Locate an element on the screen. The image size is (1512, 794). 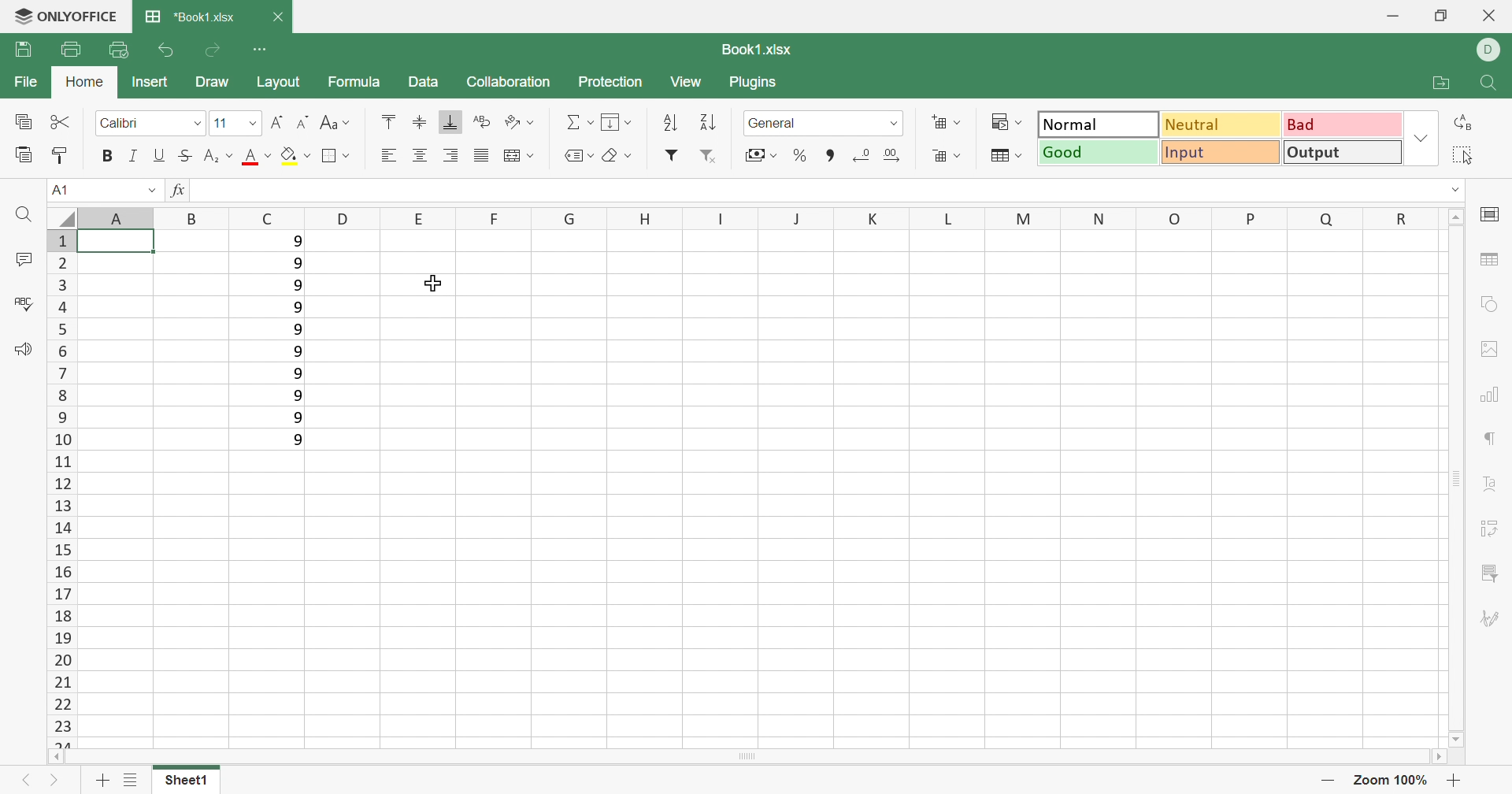
9 is located at coordinates (296, 375).